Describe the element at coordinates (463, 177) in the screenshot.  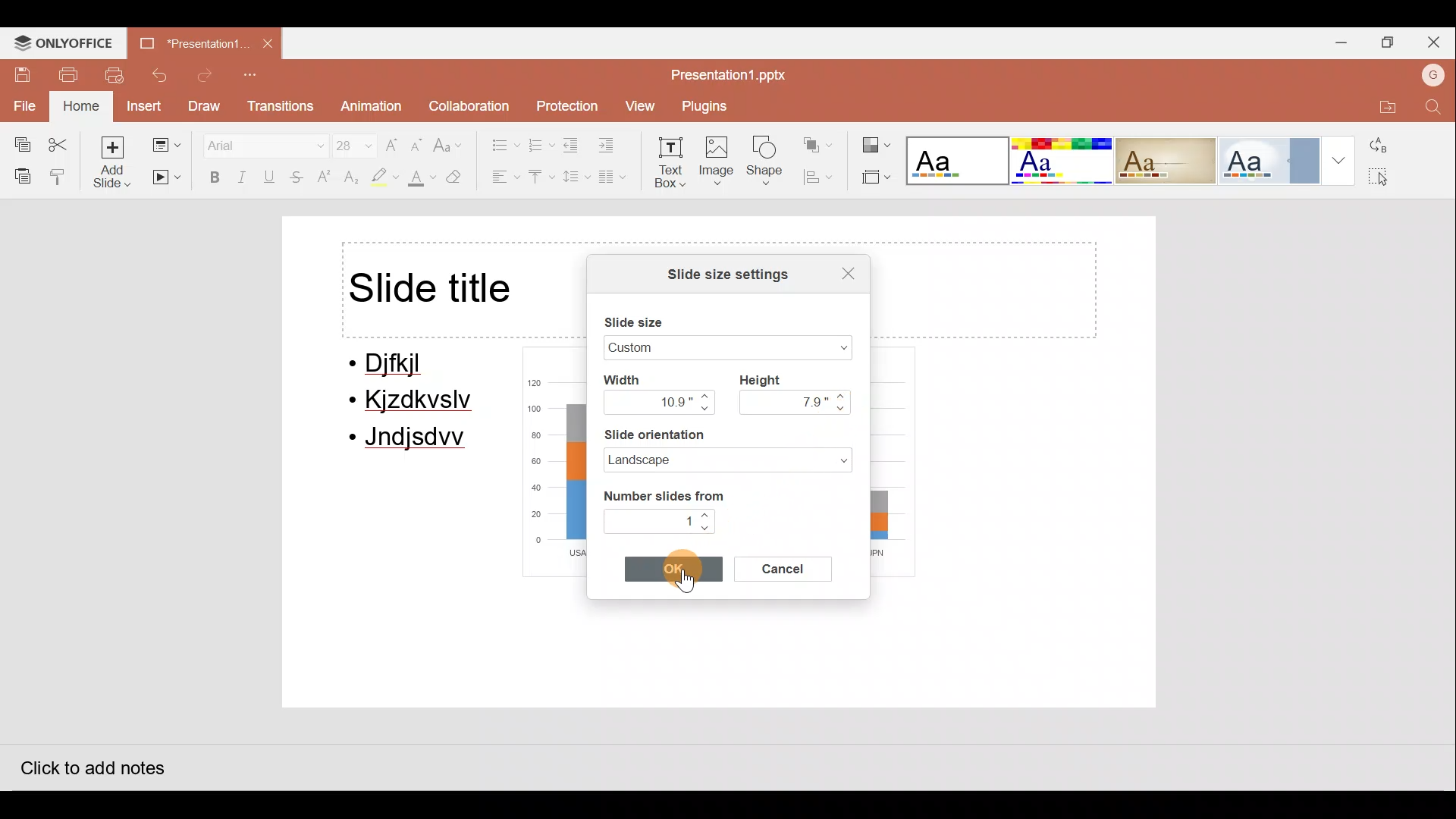
I see `Clear style` at that location.